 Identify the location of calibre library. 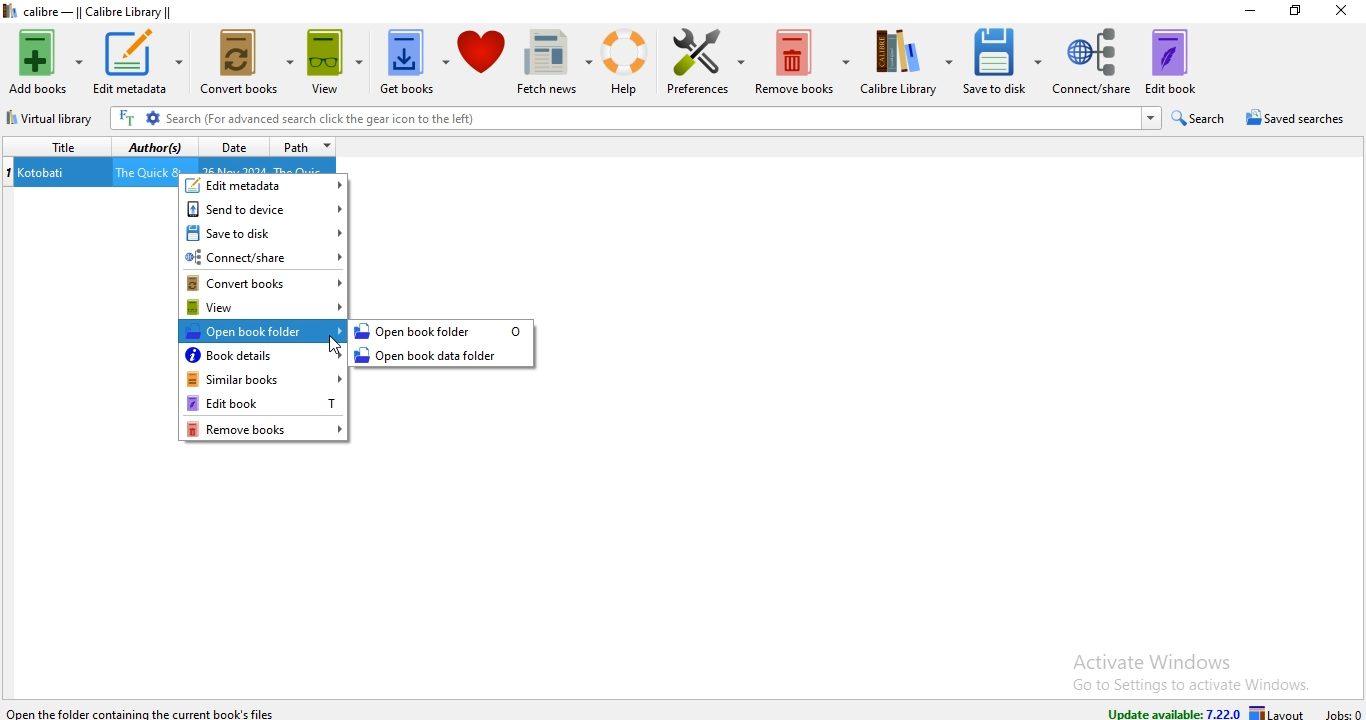
(907, 61).